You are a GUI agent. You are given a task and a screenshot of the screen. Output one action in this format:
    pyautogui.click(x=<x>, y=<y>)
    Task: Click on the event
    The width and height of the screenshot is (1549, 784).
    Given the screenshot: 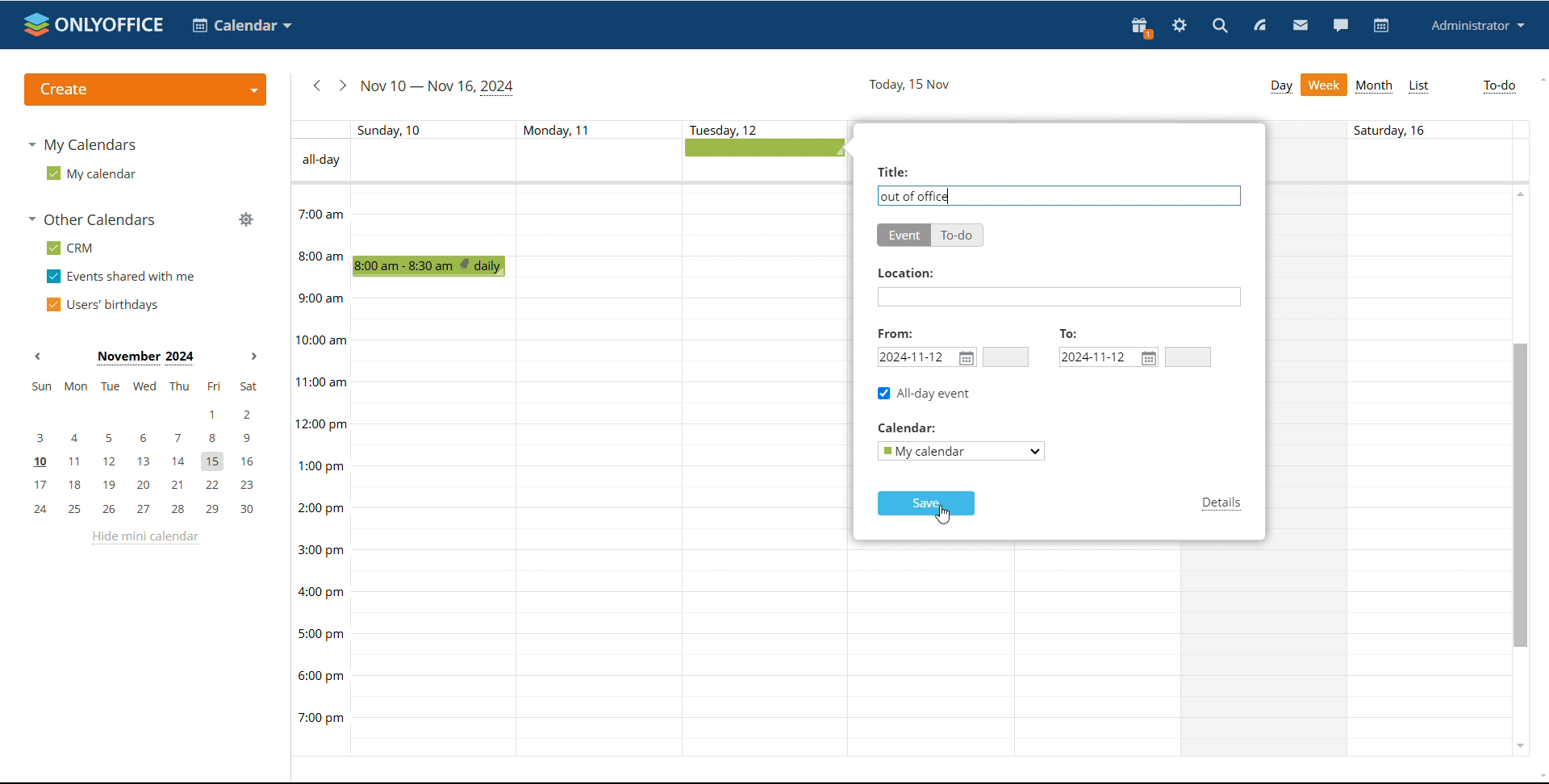 What is the action you would take?
    pyautogui.click(x=904, y=235)
    